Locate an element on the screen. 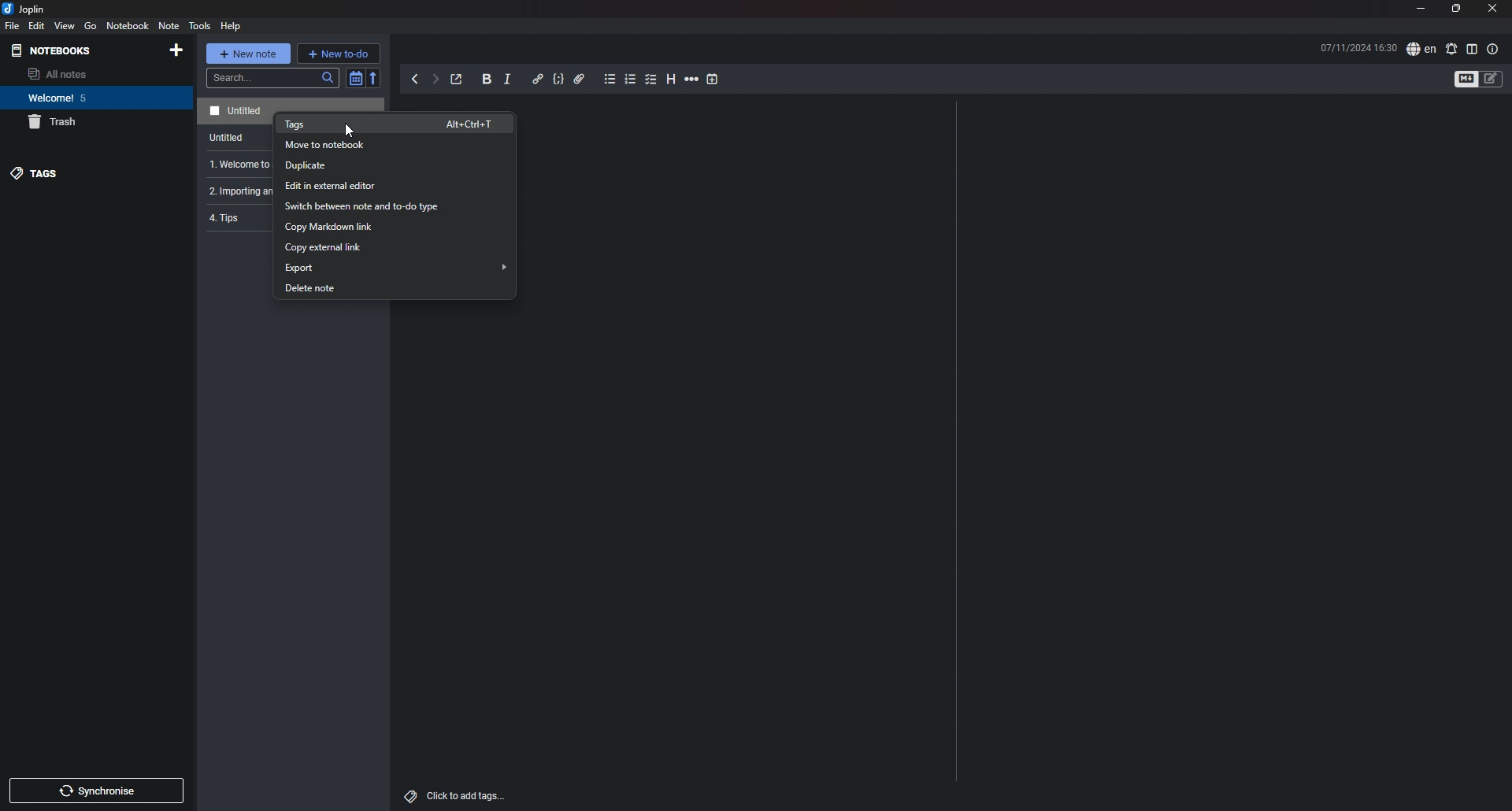 The image size is (1512, 811). file is located at coordinates (13, 26).